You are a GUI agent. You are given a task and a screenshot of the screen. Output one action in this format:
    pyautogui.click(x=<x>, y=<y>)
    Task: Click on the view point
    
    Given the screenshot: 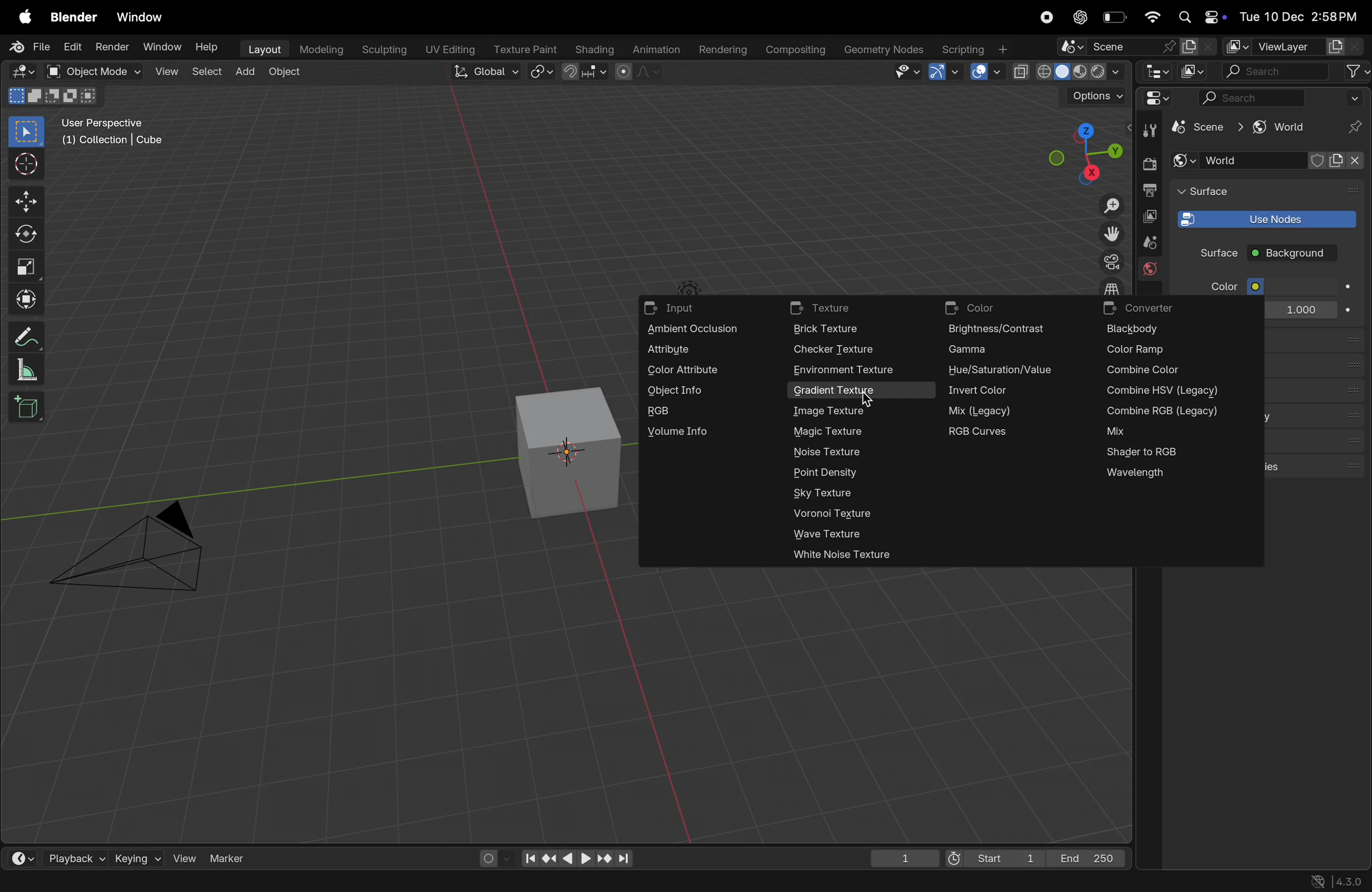 What is the action you would take?
    pyautogui.click(x=1077, y=156)
    